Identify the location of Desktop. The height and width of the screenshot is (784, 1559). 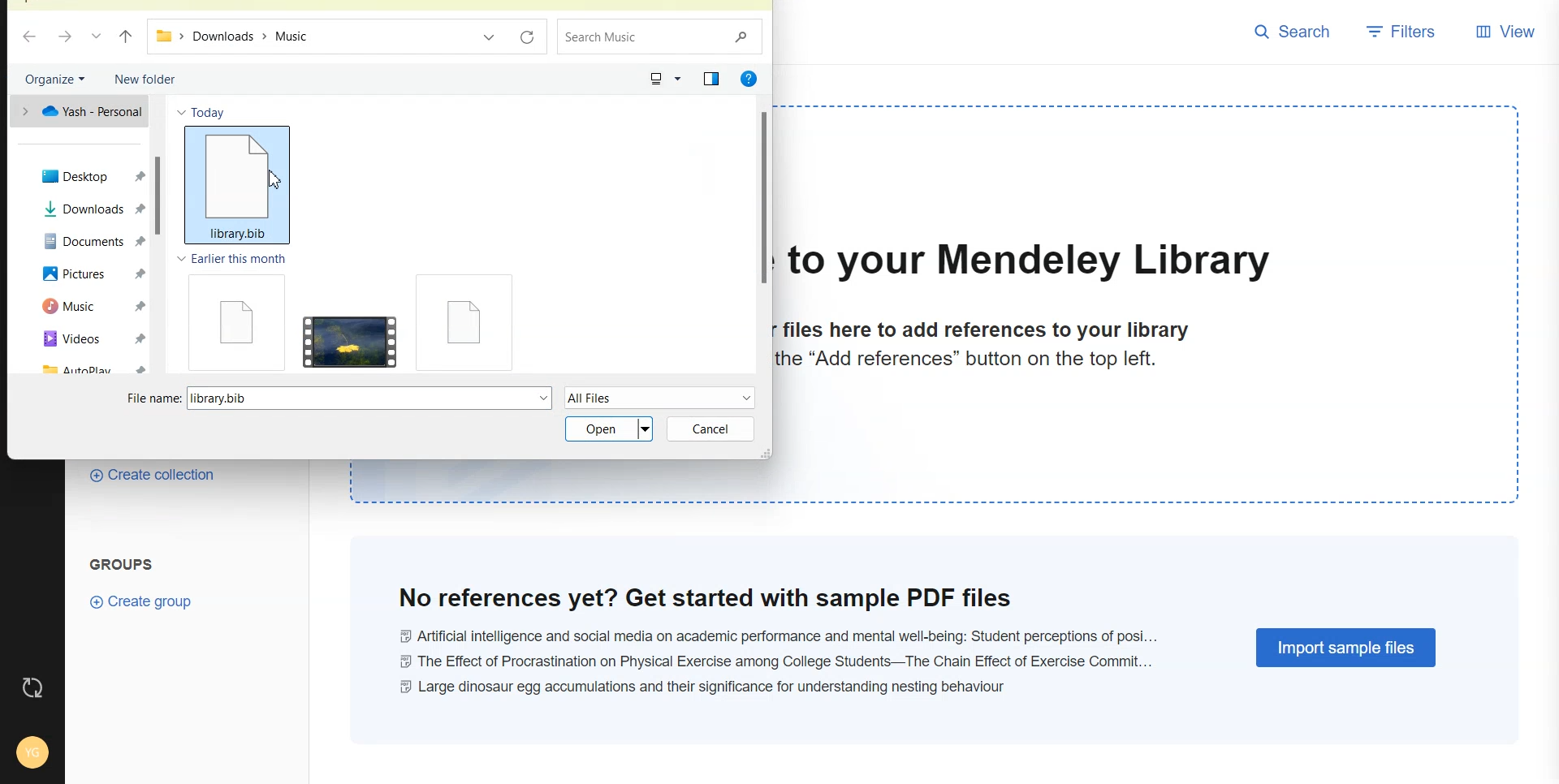
(85, 175).